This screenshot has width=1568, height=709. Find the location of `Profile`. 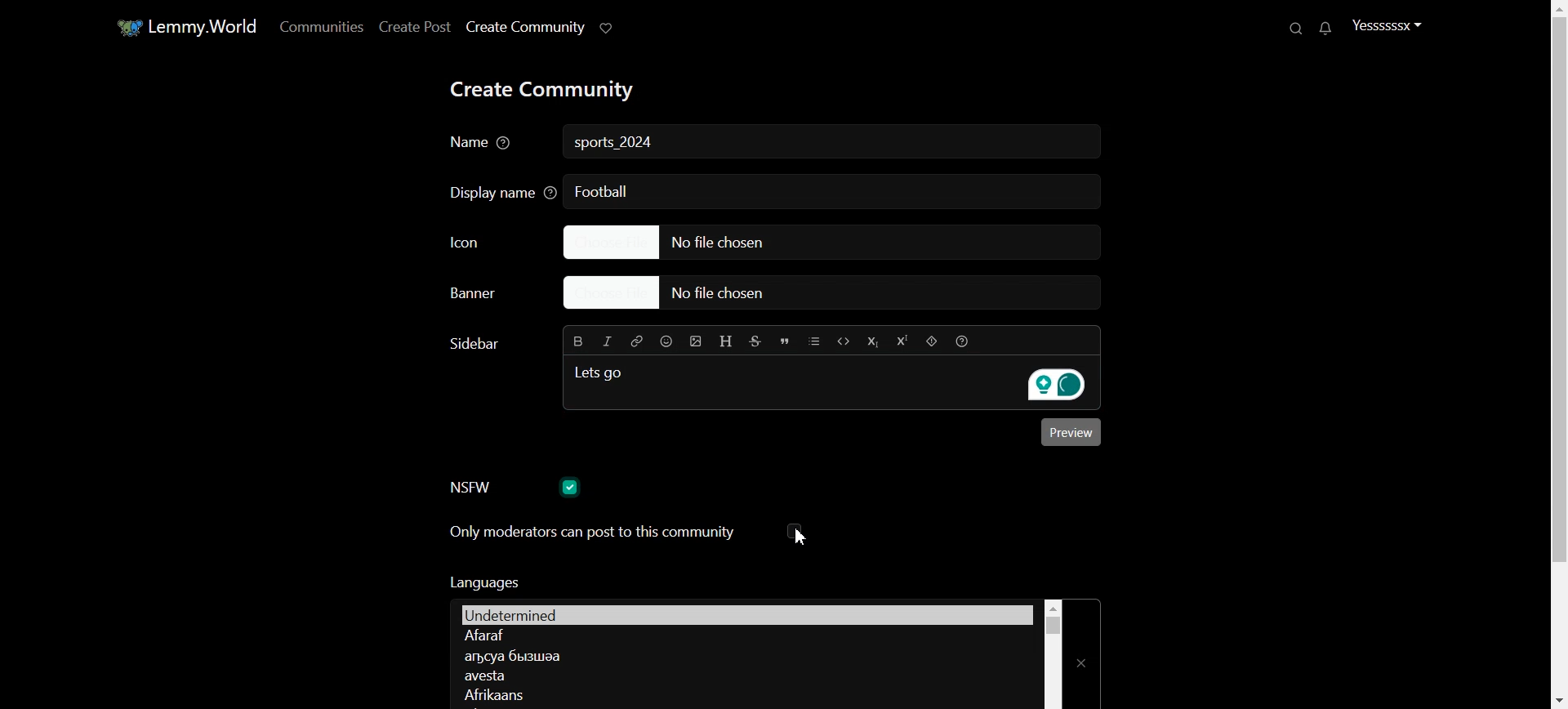

Profile is located at coordinates (1387, 25).